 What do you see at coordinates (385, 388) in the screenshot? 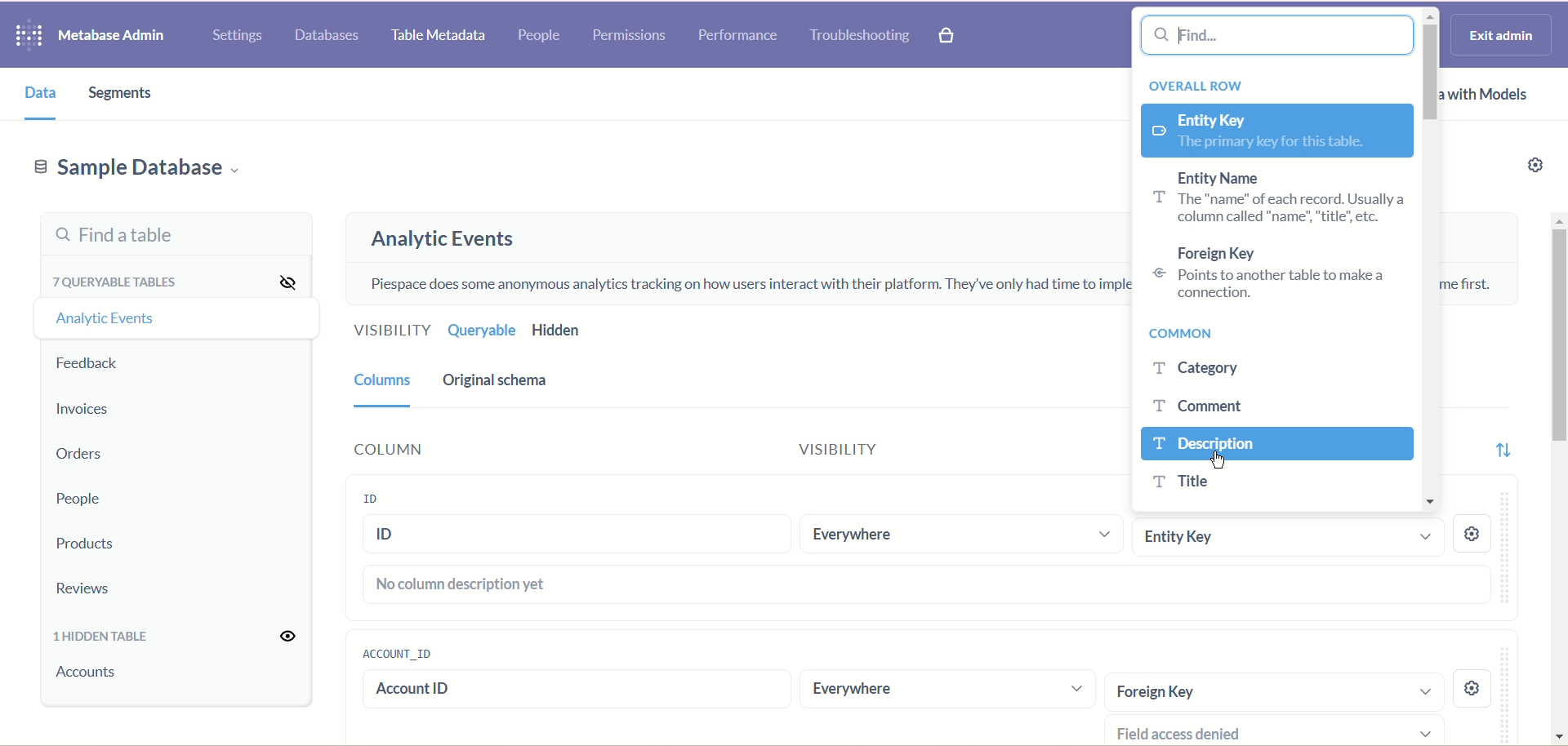
I see `column` at bounding box center [385, 388].